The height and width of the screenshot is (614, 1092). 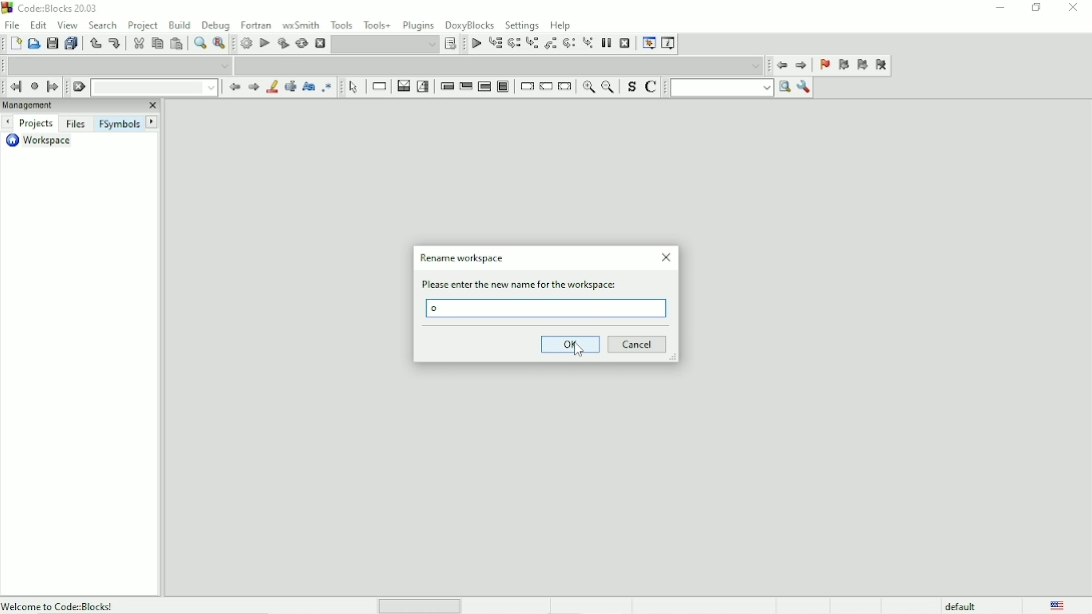 What do you see at coordinates (803, 87) in the screenshot?
I see `Show options window` at bounding box center [803, 87].